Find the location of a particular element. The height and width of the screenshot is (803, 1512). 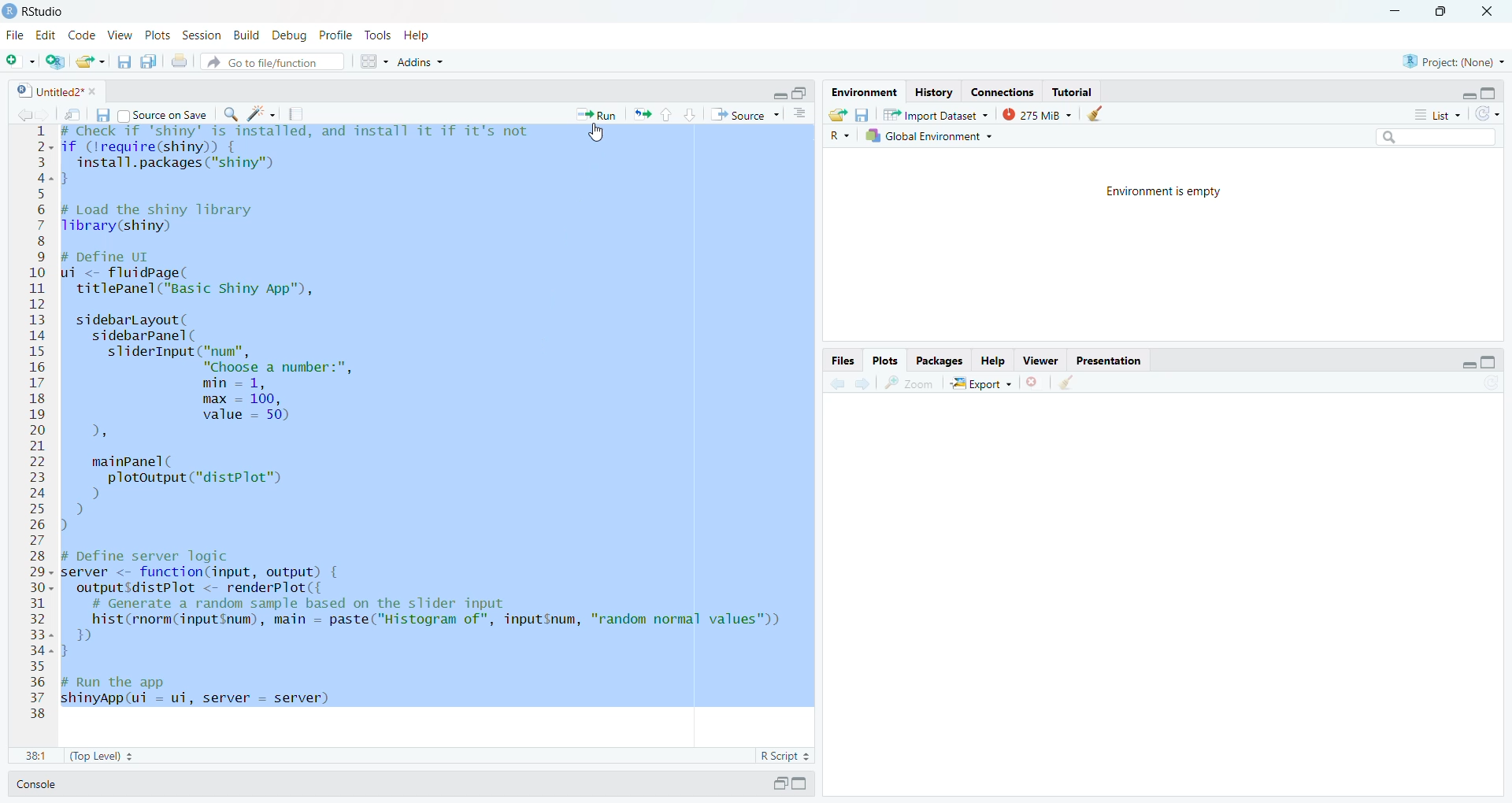

R Script is located at coordinates (784, 756).